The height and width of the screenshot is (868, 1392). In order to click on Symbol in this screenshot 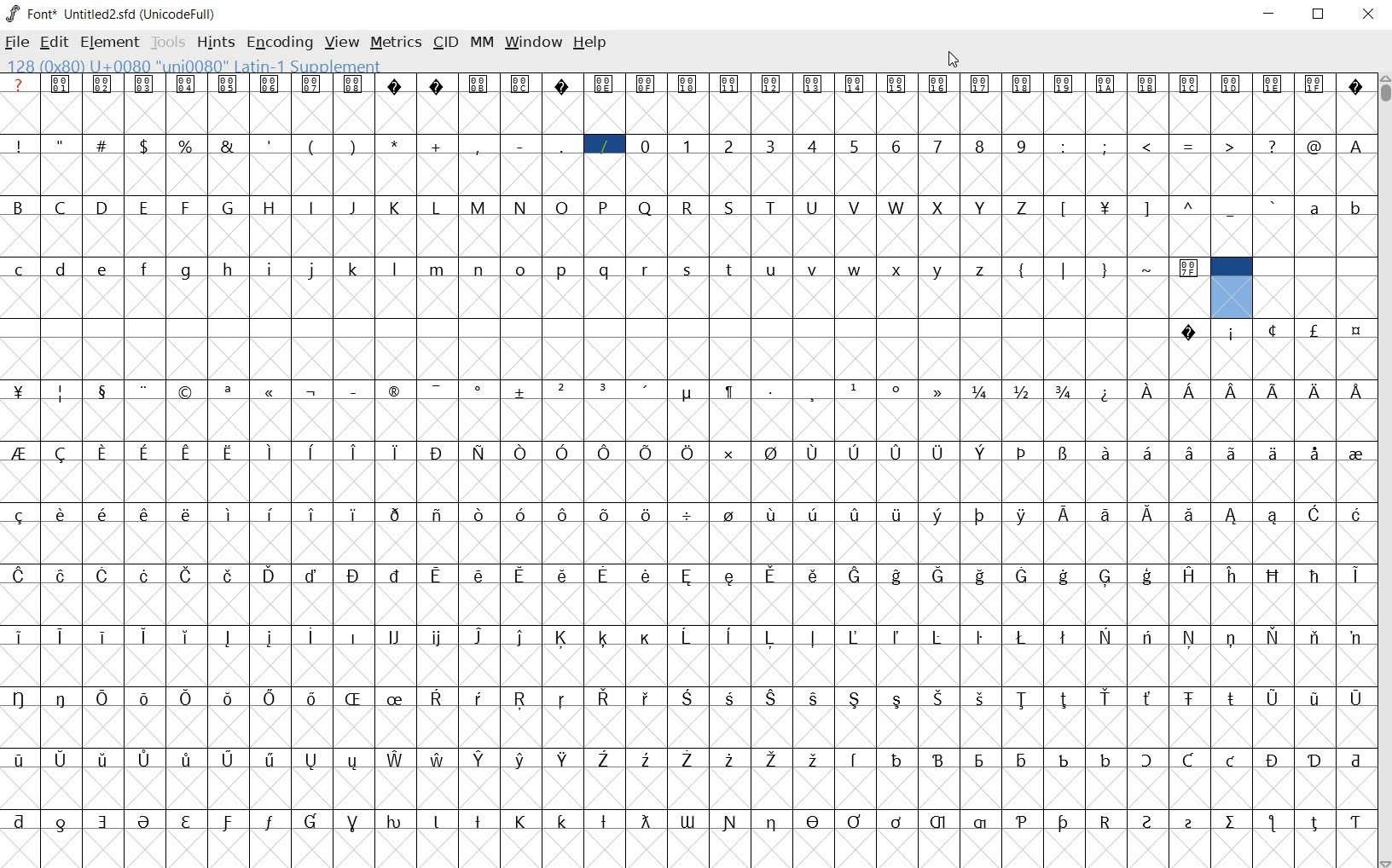, I will do `click(520, 574)`.